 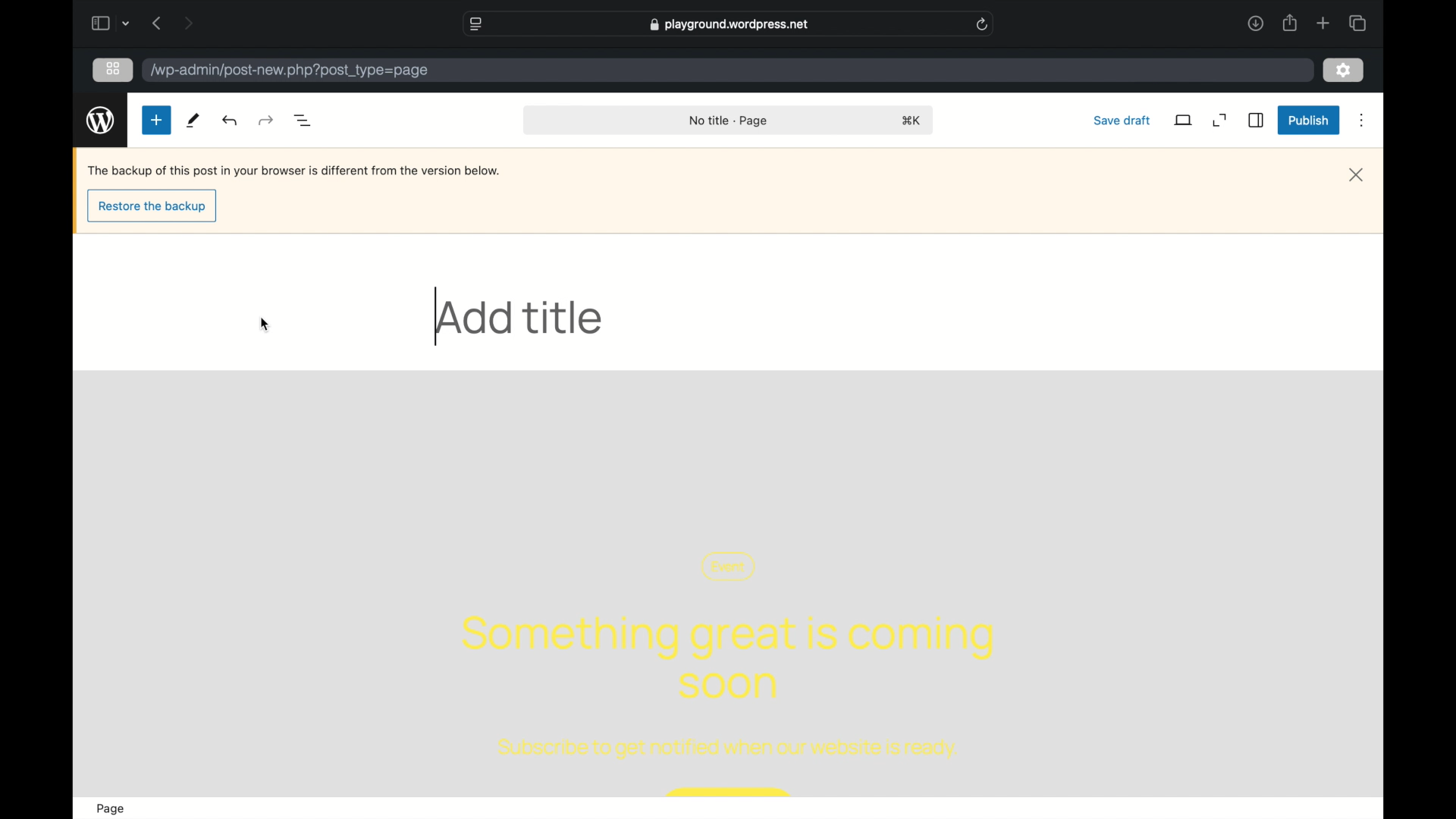 I want to click on show tab overview, so click(x=1357, y=23).